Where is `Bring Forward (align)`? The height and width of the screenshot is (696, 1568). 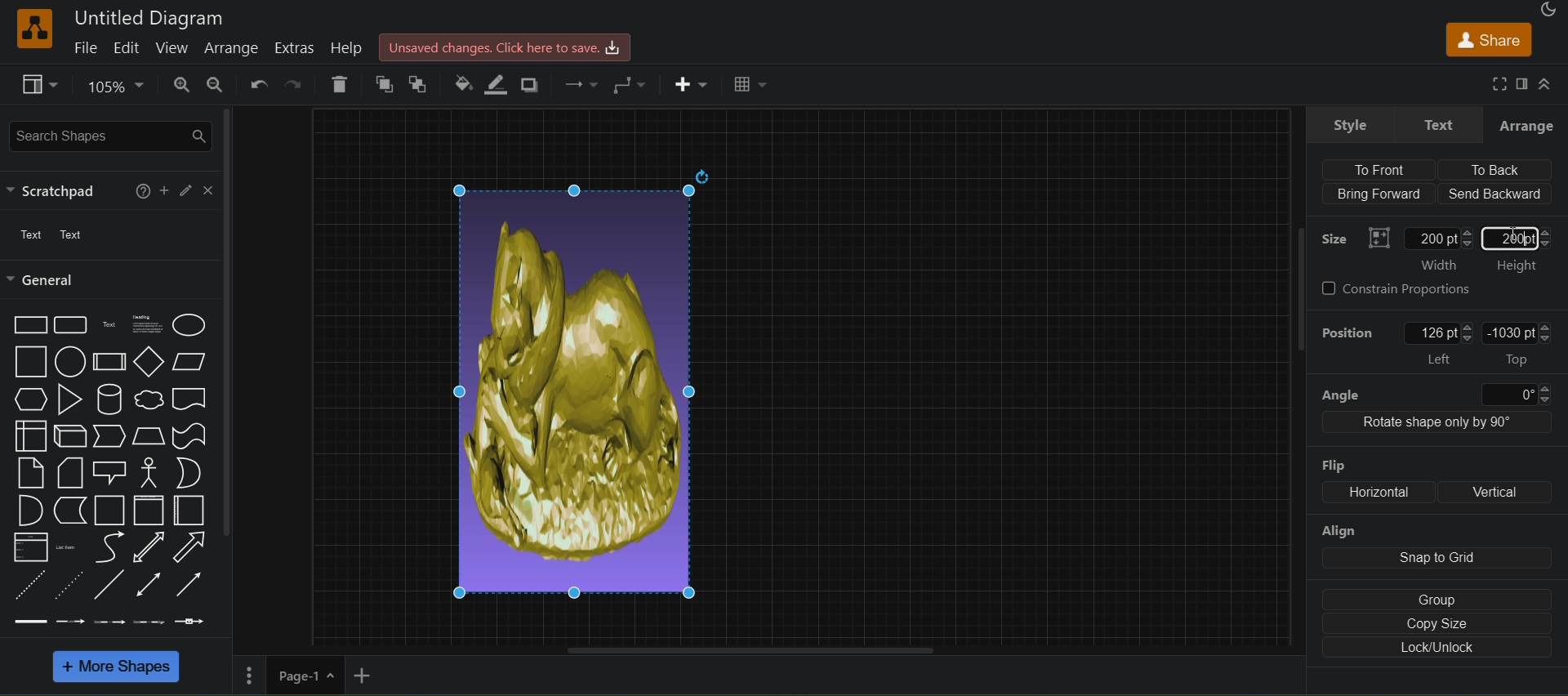 Bring Forward (align) is located at coordinates (1379, 194).